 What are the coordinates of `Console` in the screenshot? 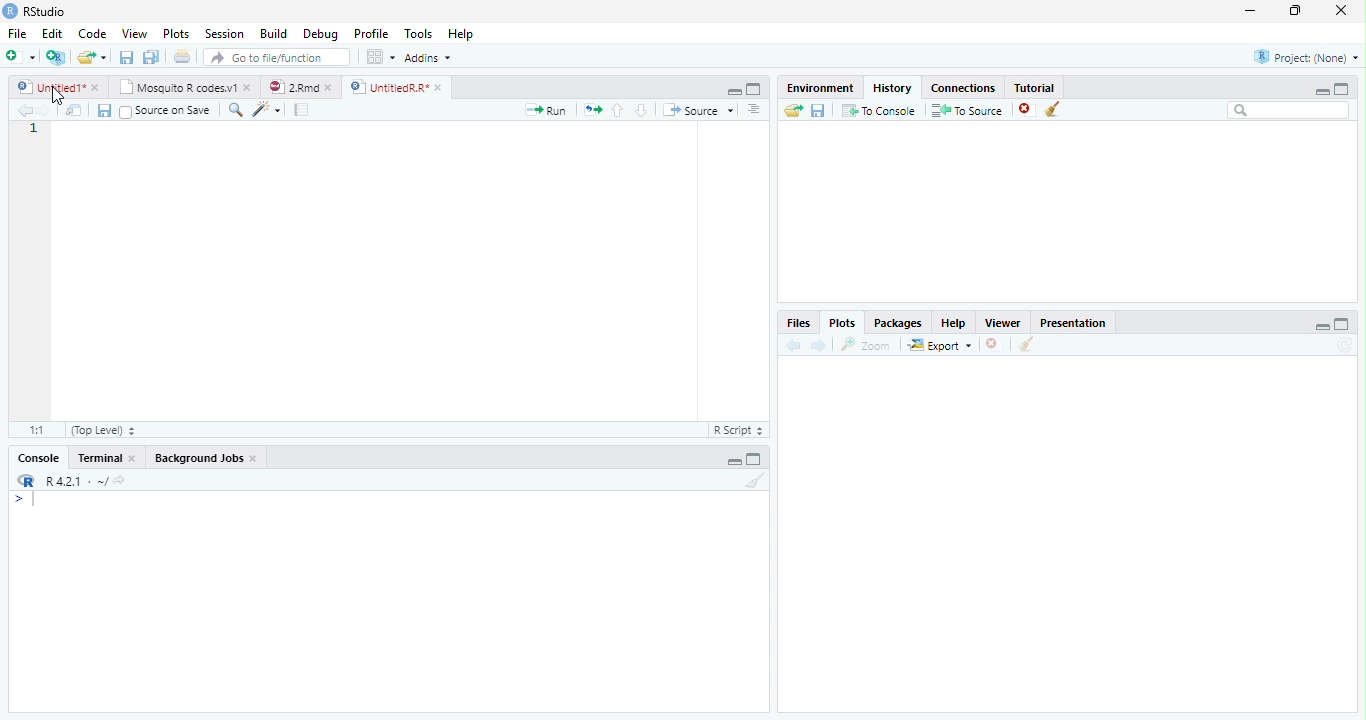 It's located at (39, 458).